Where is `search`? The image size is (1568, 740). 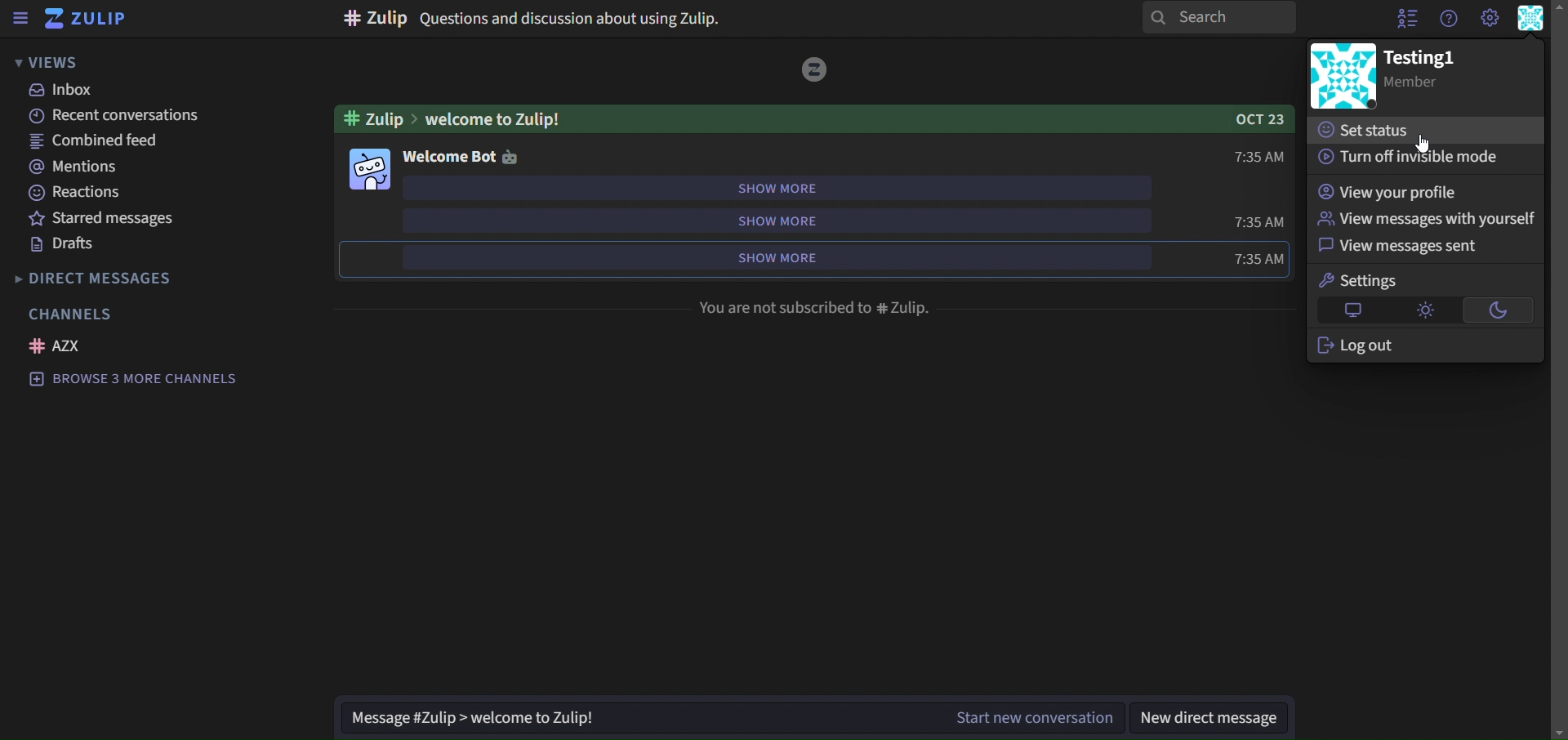
search is located at coordinates (1218, 18).